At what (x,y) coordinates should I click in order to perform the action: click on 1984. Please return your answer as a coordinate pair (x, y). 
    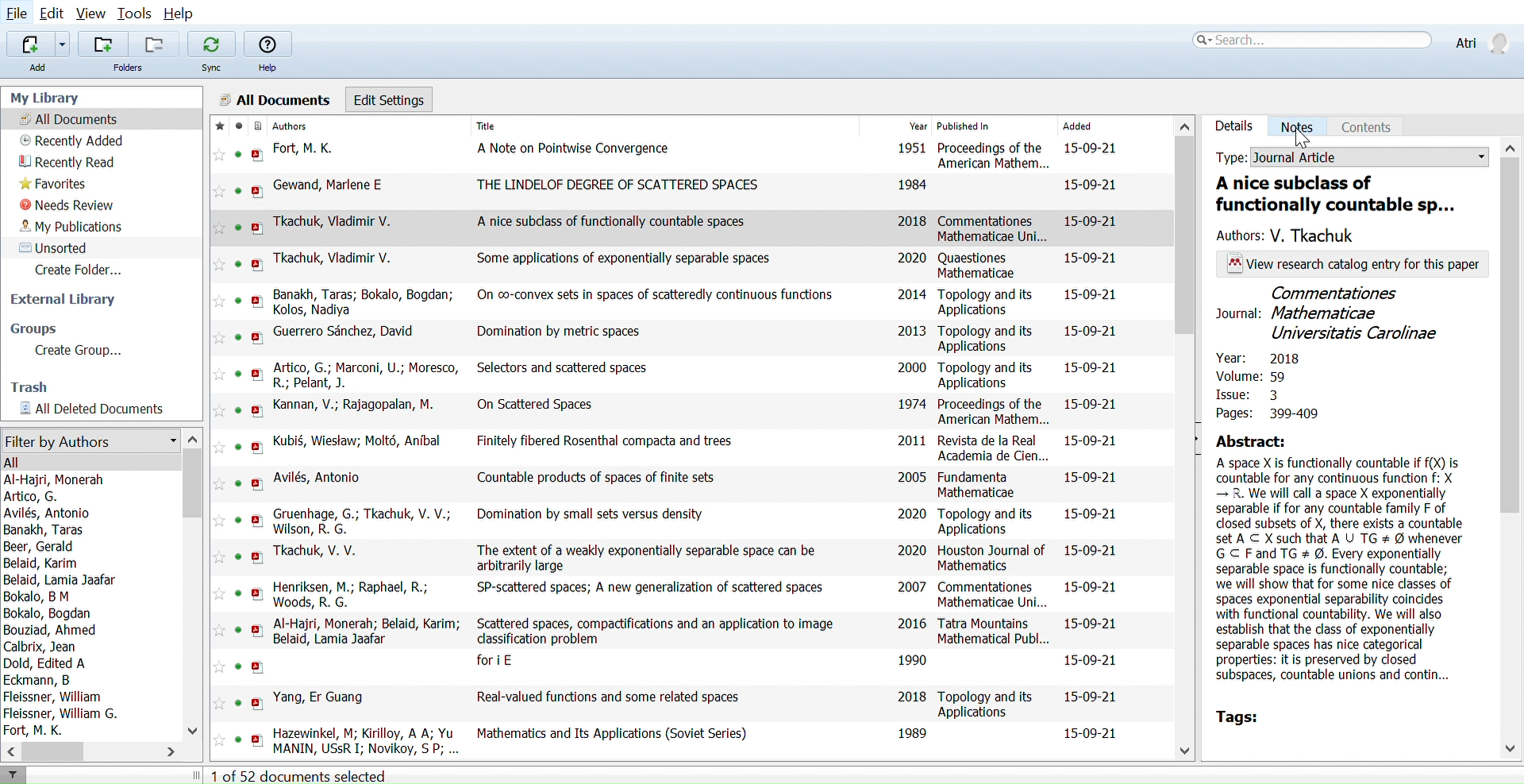
    Looking at the image, I should click on (913, 184).